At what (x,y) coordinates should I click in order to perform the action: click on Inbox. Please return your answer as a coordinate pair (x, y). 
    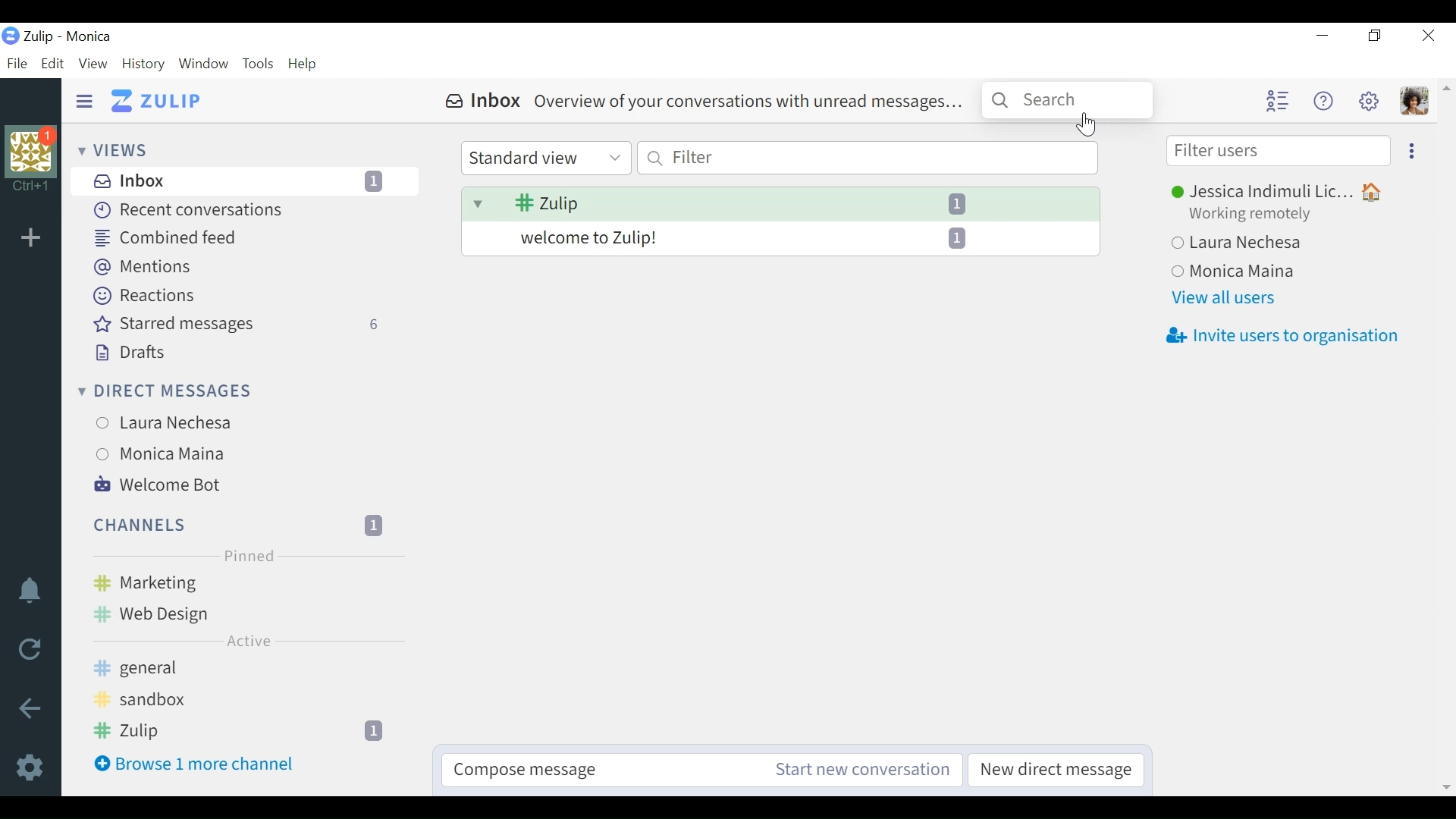
    Looking at the image, I should click on (249, 180).